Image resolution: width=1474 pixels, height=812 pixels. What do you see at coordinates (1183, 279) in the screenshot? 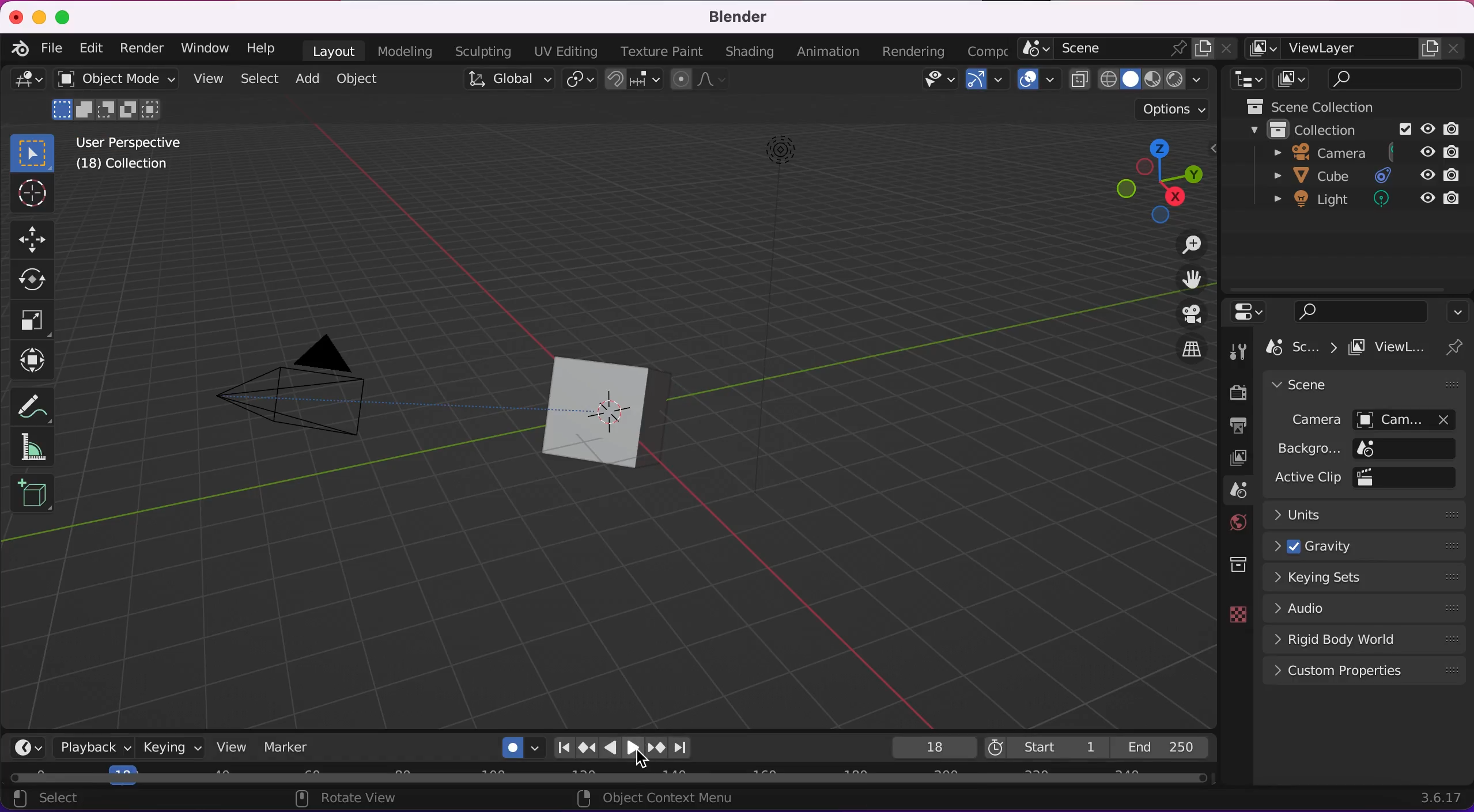
I see `move the view` at bounding box center [1183, 279].